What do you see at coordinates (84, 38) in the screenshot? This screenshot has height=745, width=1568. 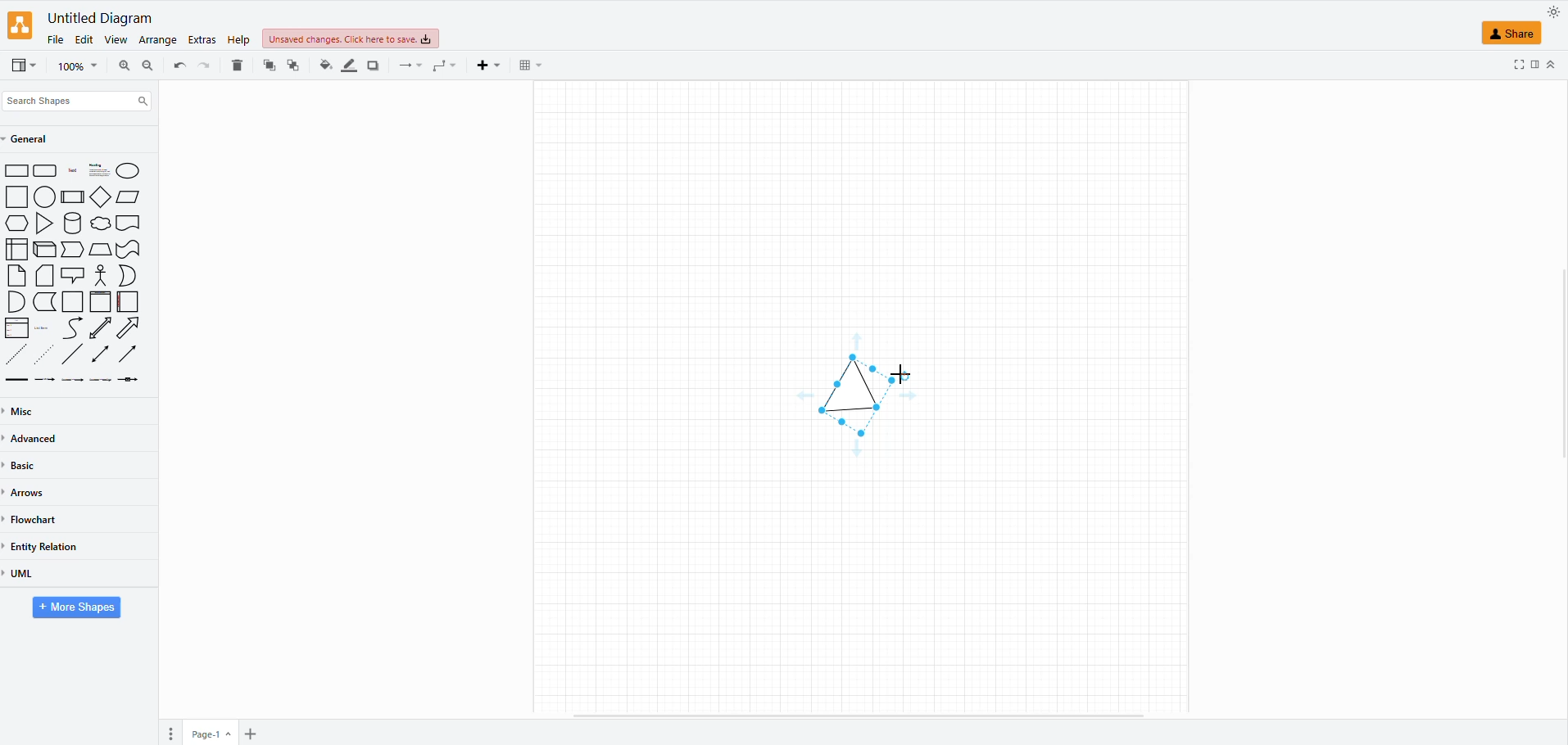 I see `edit` at bounding box center [84, 38].